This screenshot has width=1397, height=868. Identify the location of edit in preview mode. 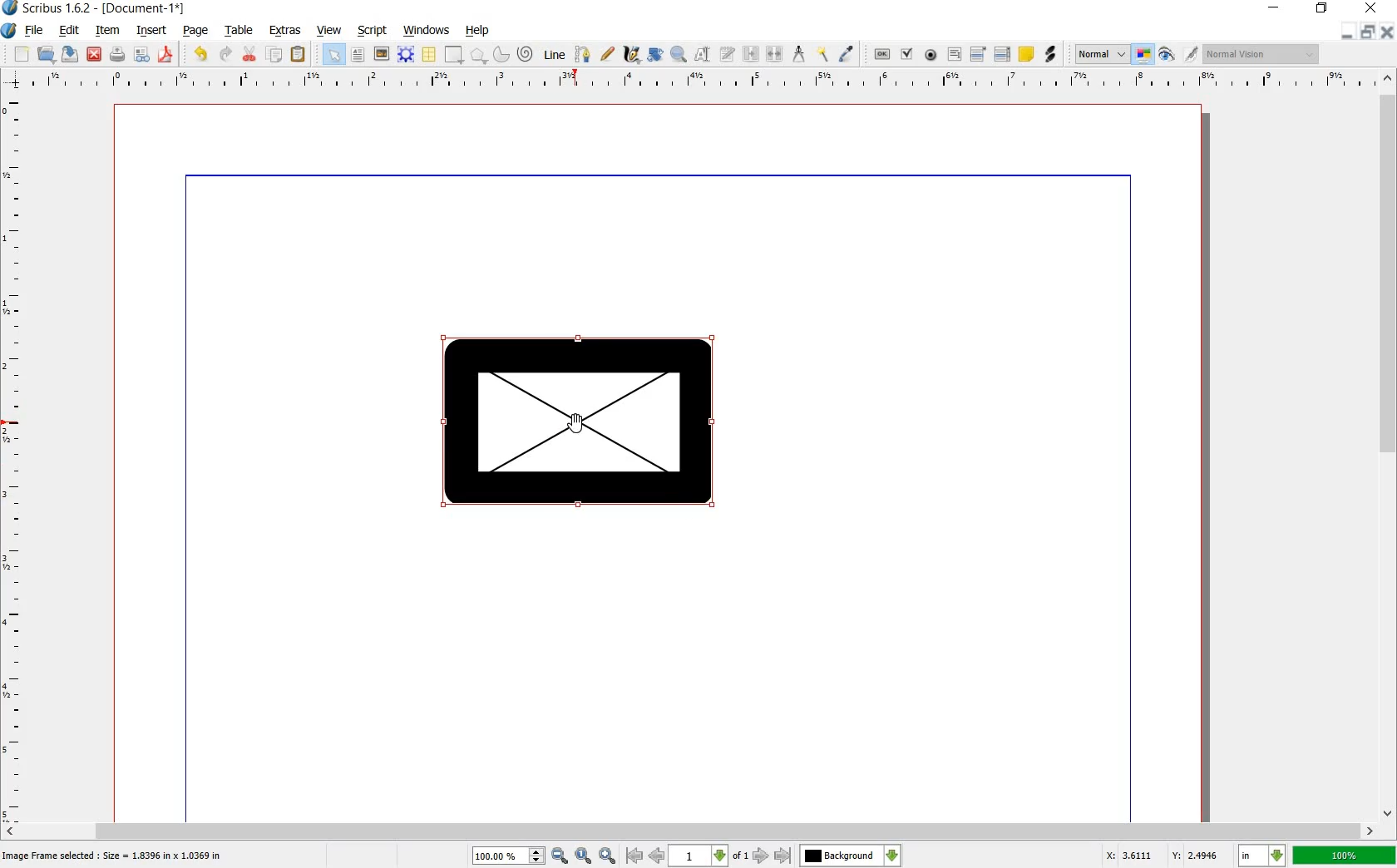
(1177, 55).